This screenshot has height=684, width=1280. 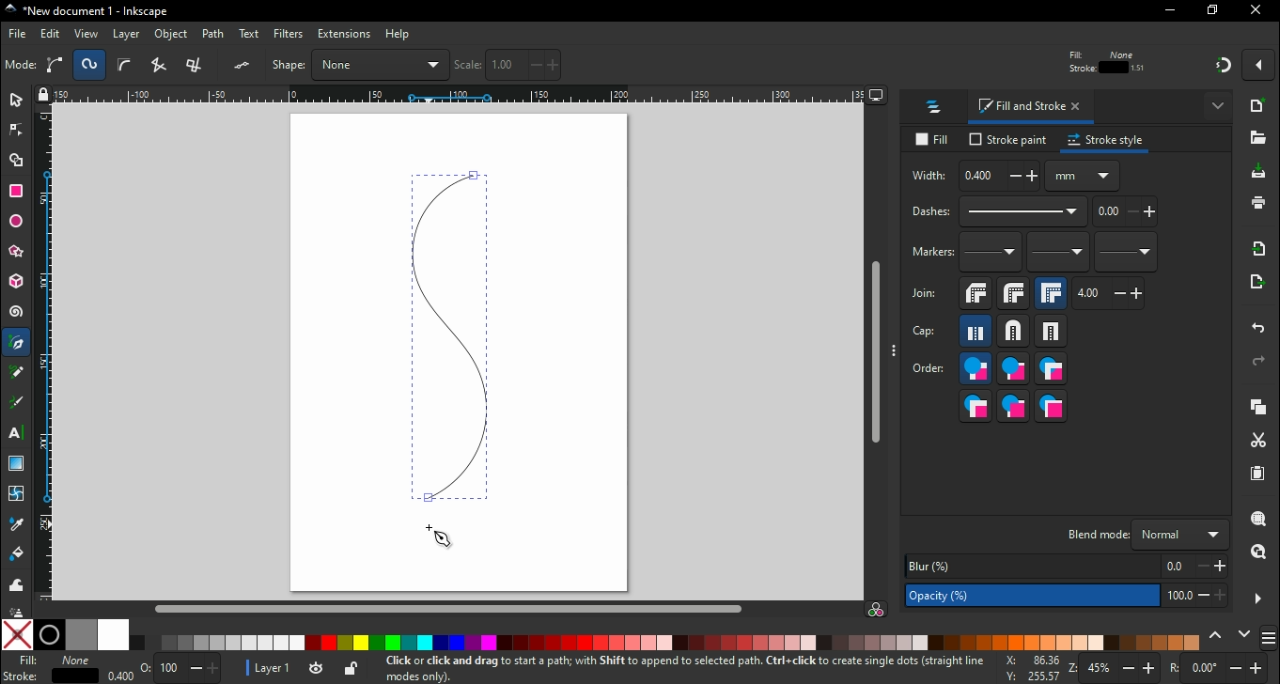 I want to click on mesh tool, so click(x=14, y=495).